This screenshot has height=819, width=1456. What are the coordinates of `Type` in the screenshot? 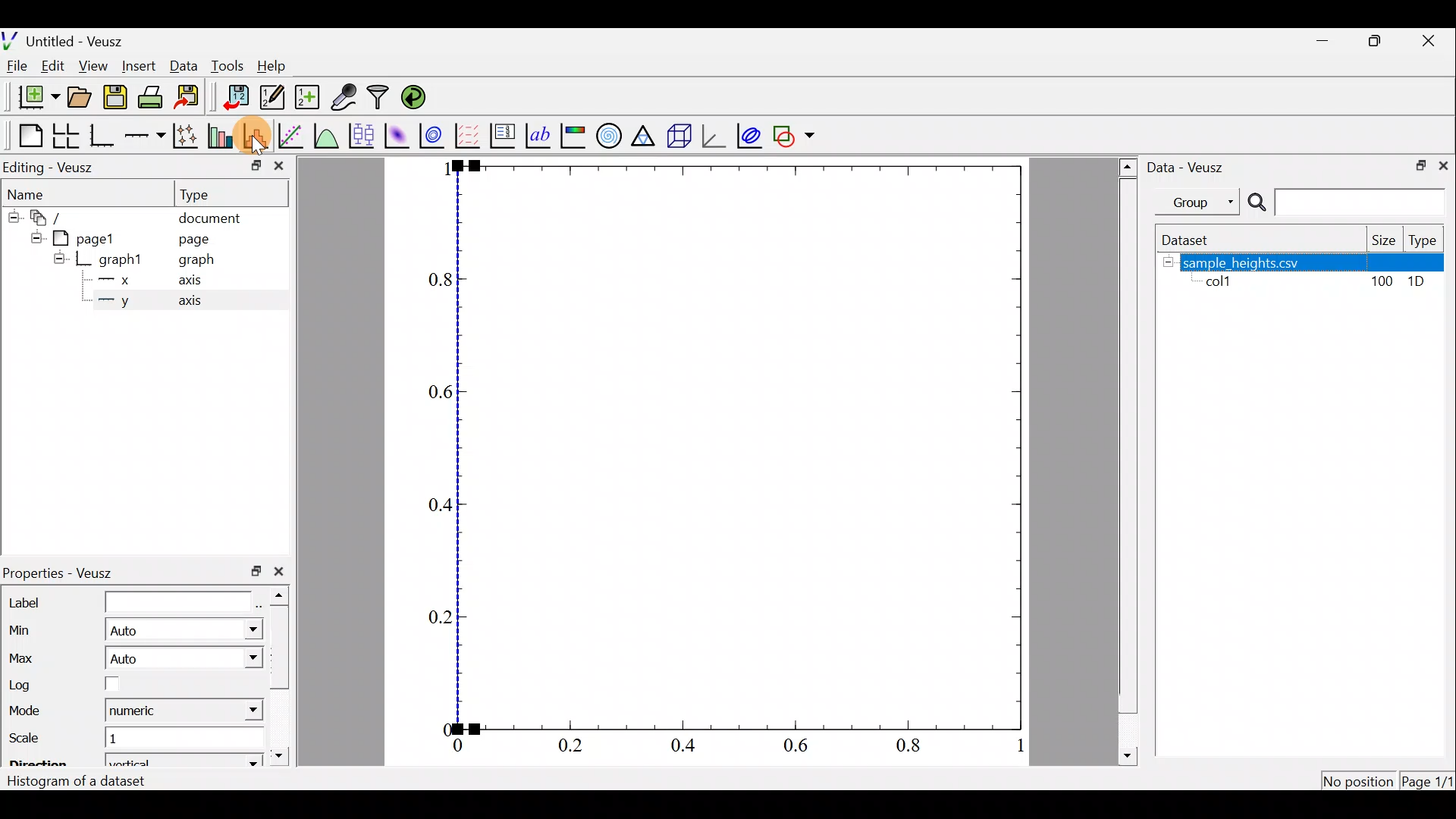 It's located at (206, 193).